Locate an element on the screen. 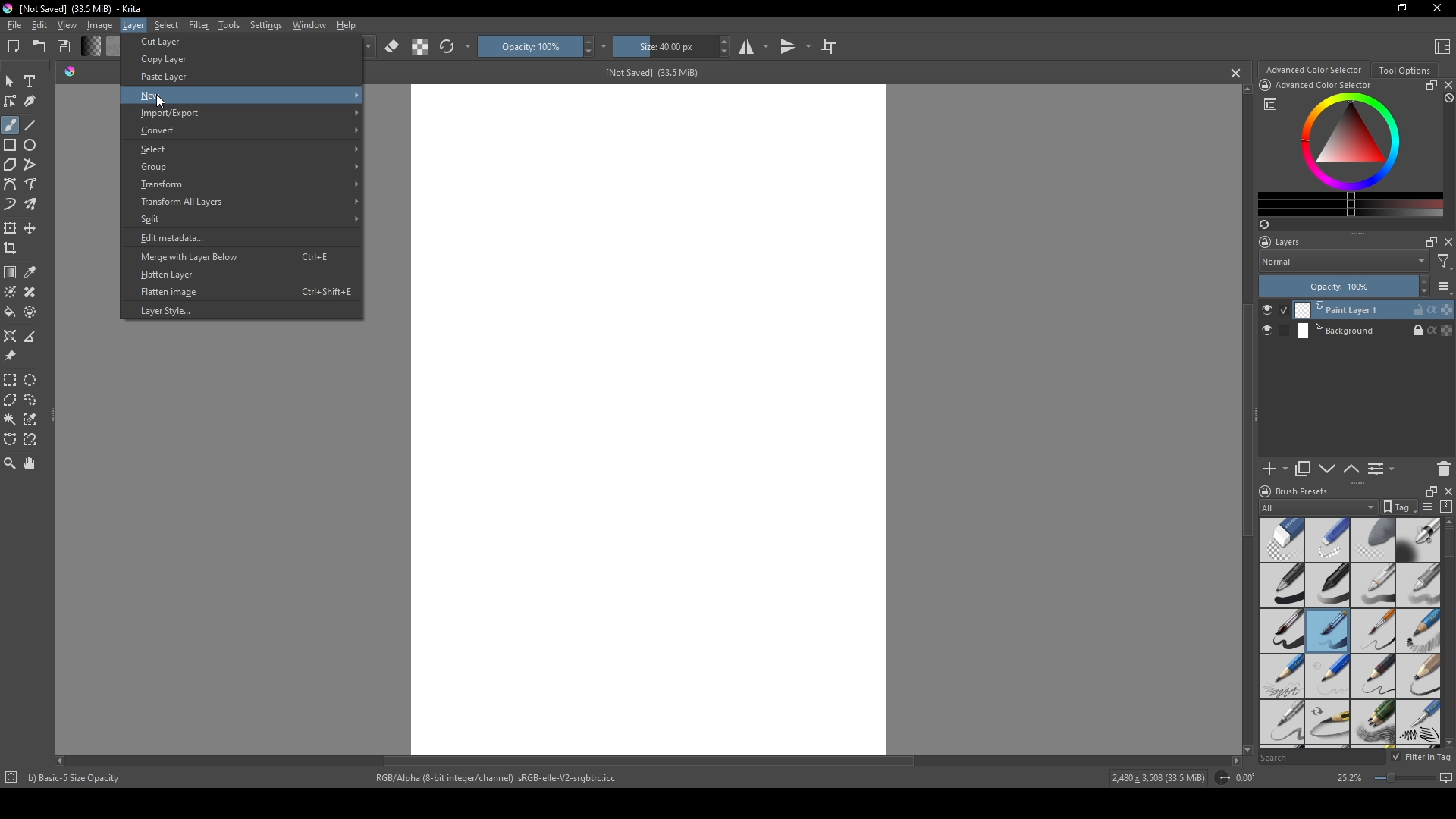 The height and width of the screenshot is (819, 1456). Split is located at coordinates (246, 219).